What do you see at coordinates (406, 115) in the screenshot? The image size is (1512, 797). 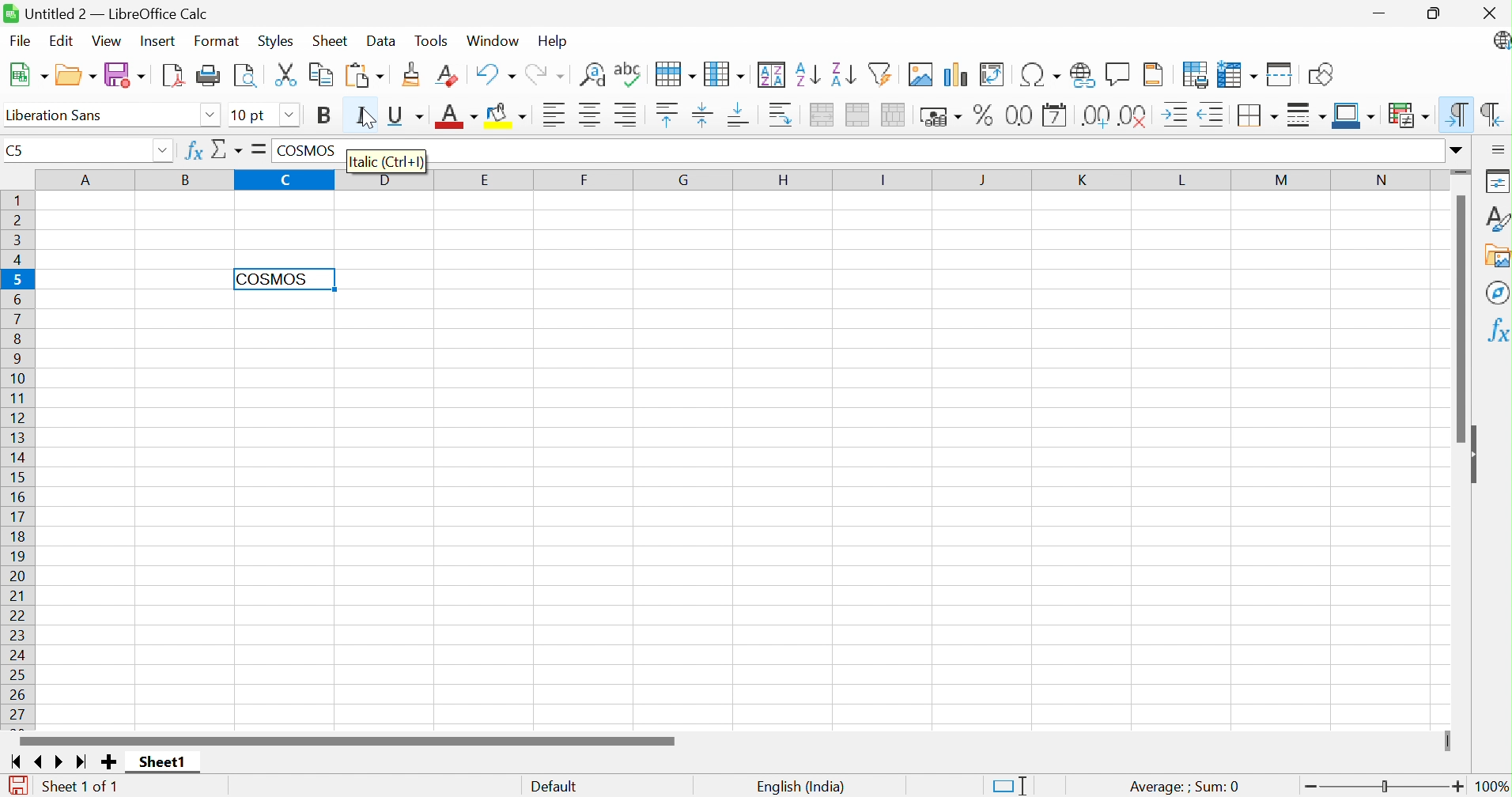 I see `Underline` at bounding box center [406, 115].